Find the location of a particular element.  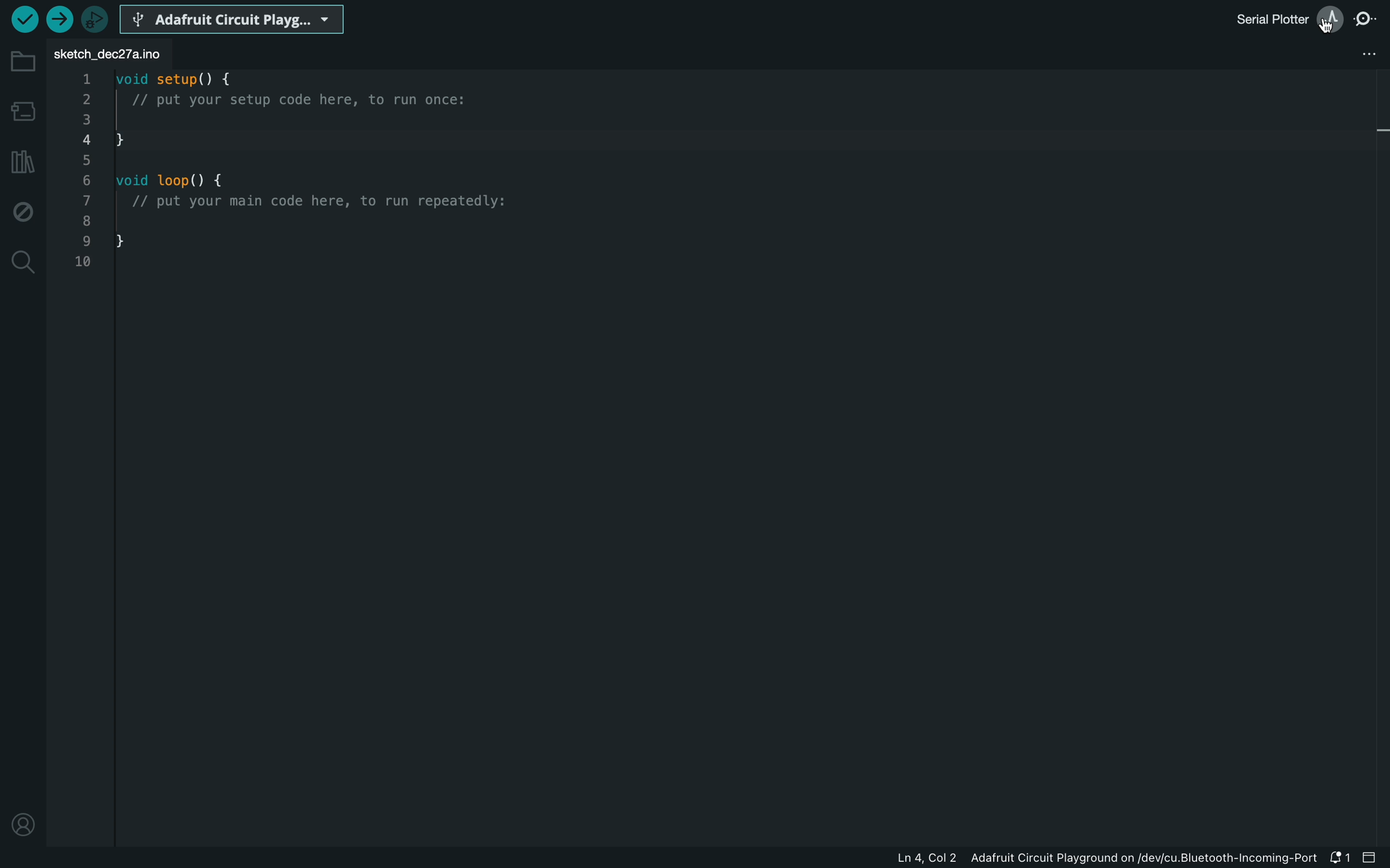

board manager is located at coordinates (21, 109).